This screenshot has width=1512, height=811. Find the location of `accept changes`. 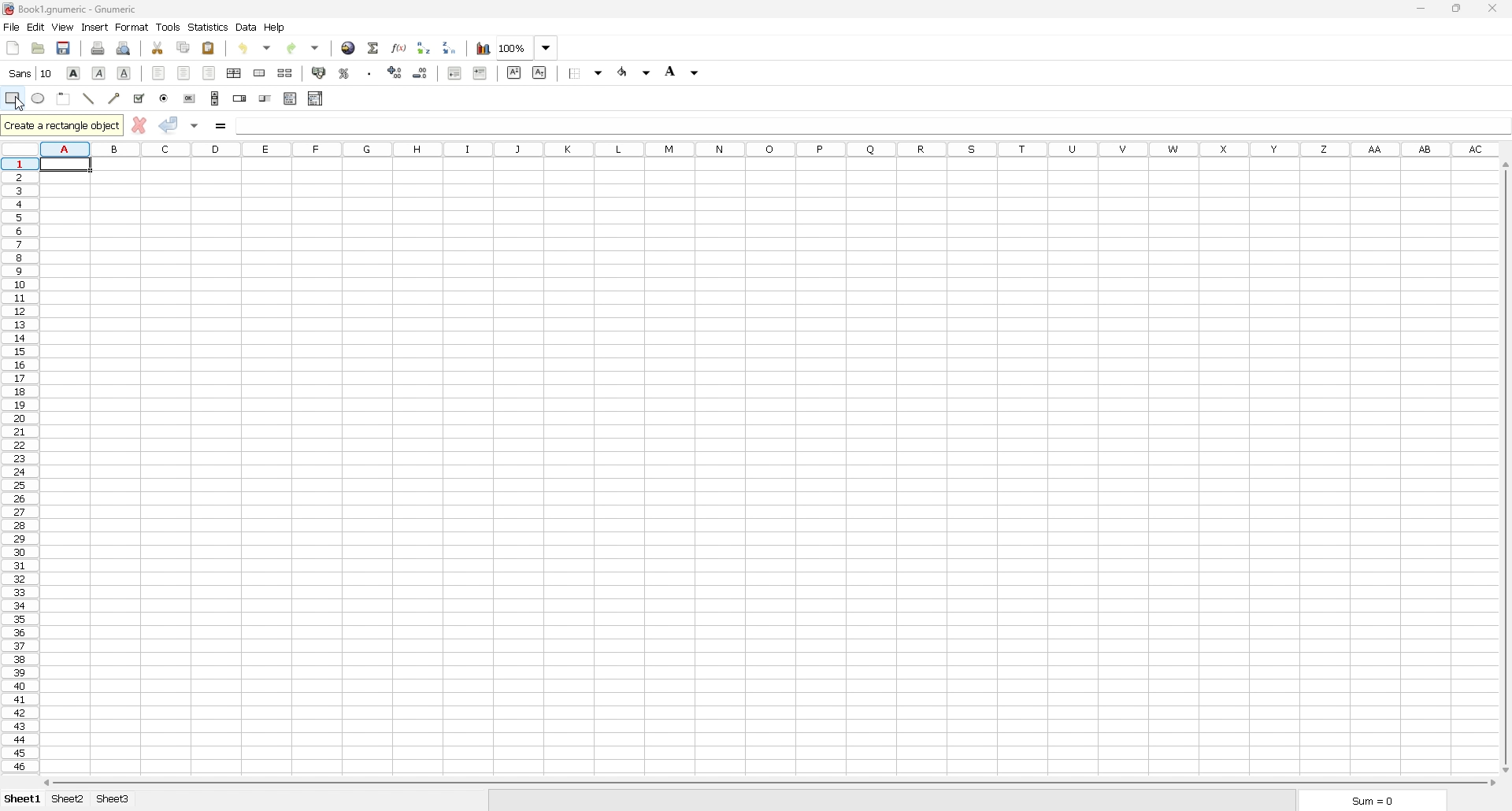

accept changes is located at coordinates (169, 125).